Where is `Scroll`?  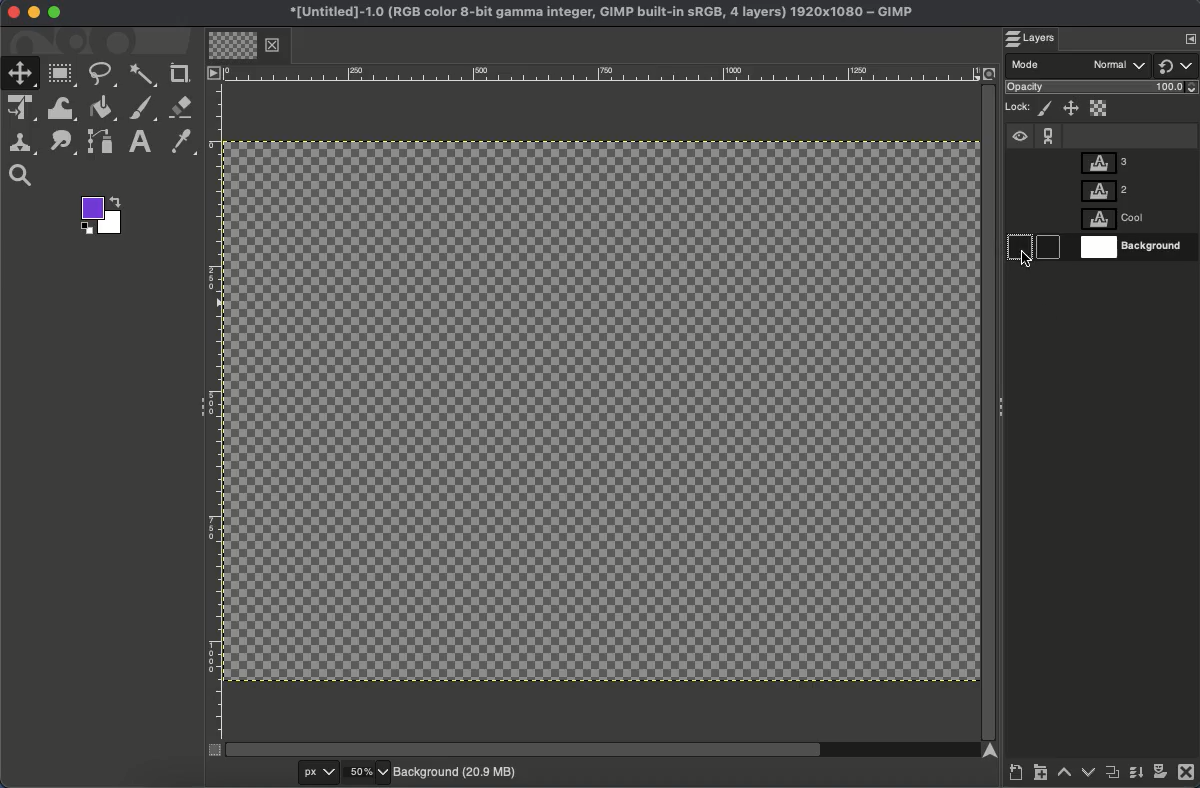
Scroll is located at coordinates (988, 409).